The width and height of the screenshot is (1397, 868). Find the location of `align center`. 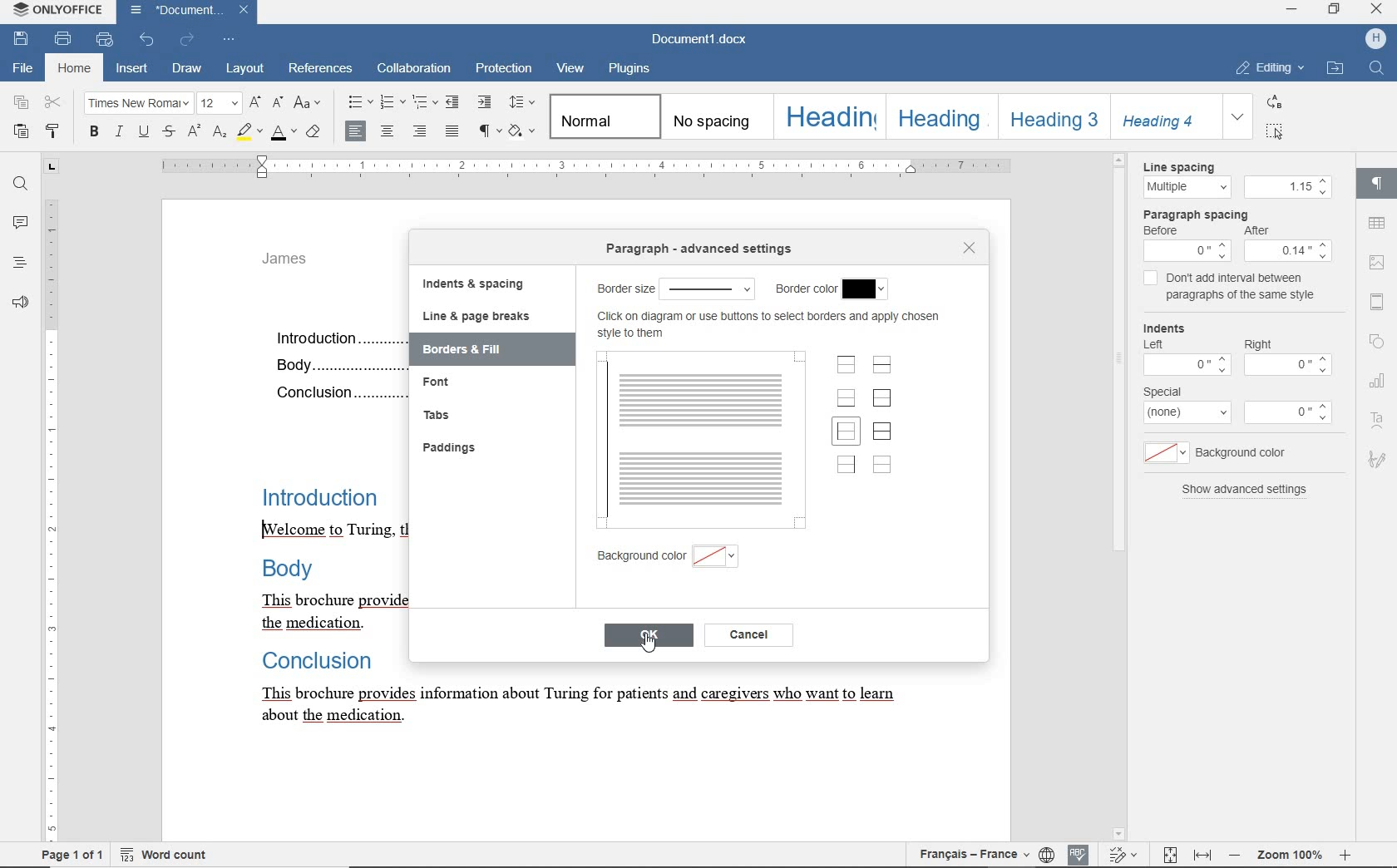

align center is located at coordinates (353, 130).